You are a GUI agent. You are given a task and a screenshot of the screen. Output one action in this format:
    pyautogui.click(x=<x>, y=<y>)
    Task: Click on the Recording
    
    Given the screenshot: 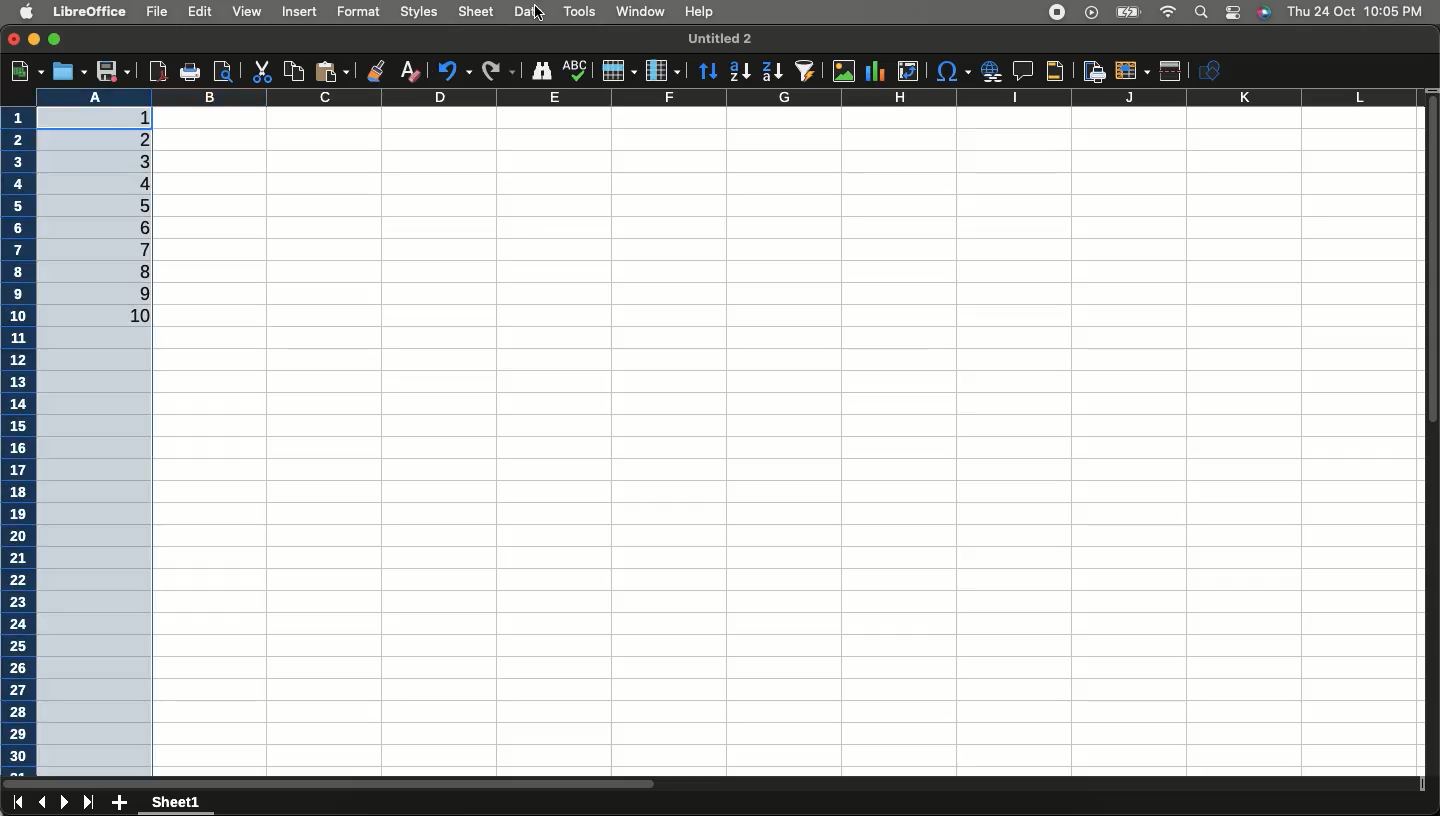 What is the action you would take?
    pyautogui.click(x=1058, y=13)
    